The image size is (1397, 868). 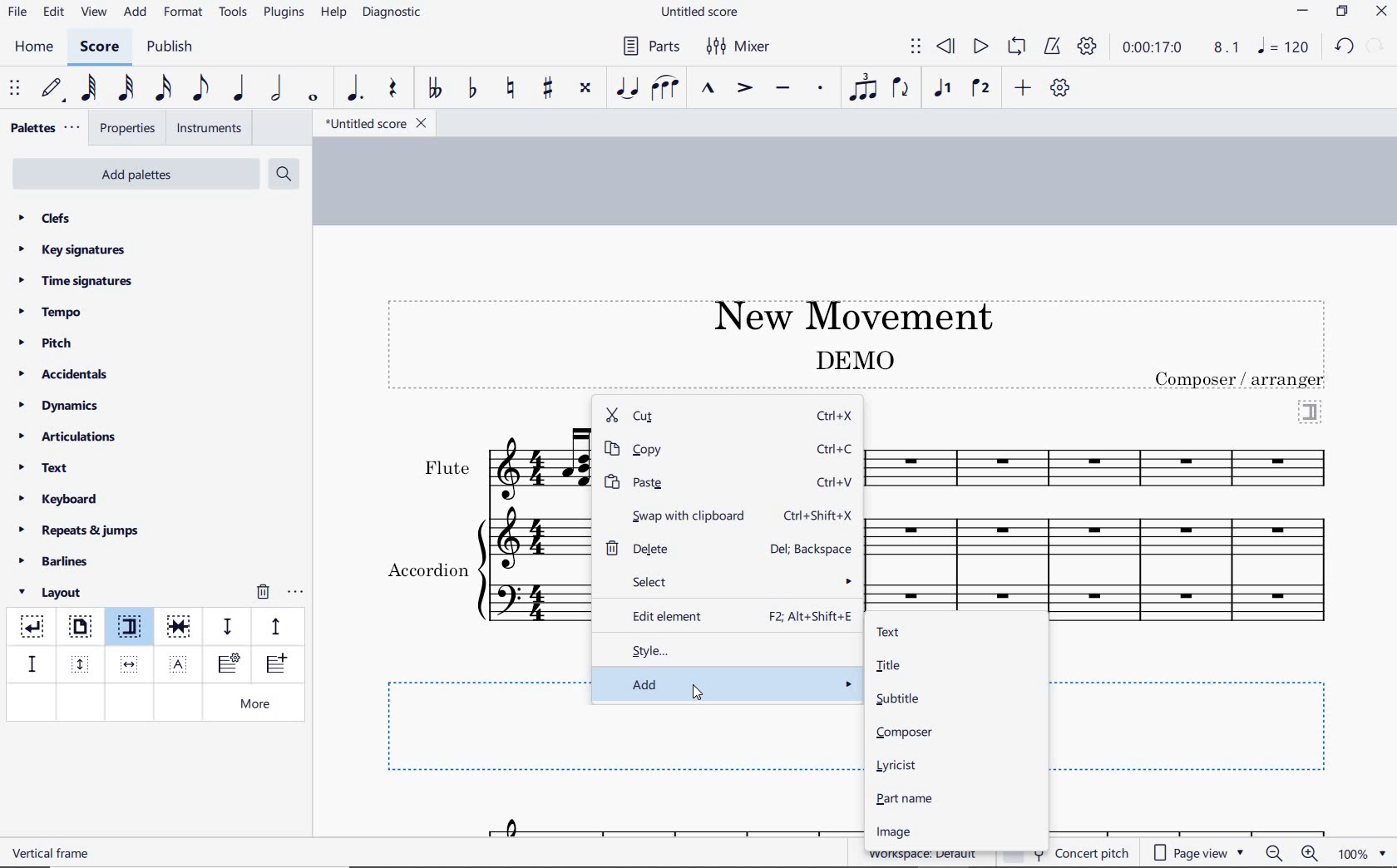 I want to click on zoom out, so click(x=1276, y=853).